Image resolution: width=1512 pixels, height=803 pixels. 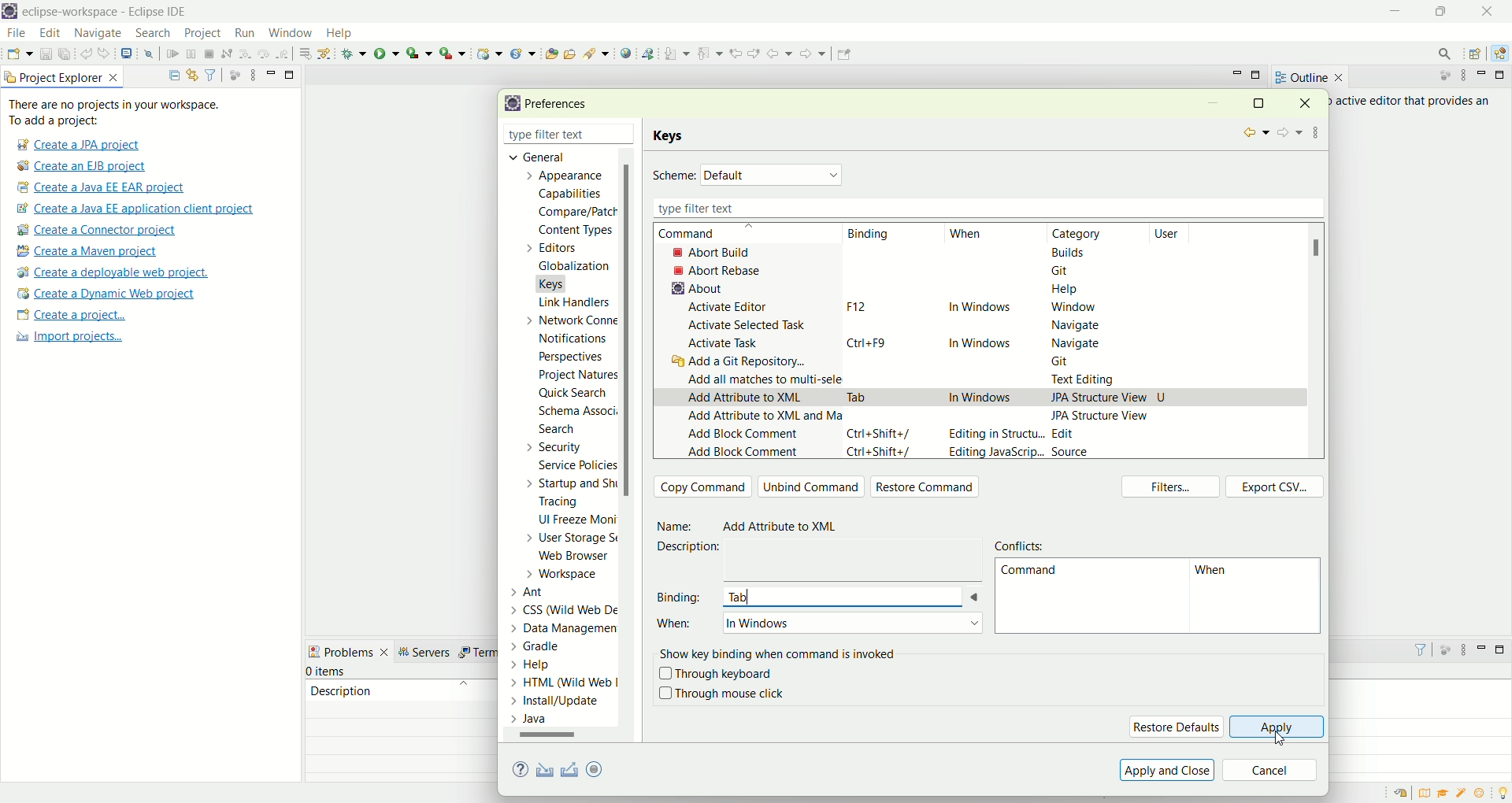 What do you see at coordinates (419, 53) in the screenshot?
I see `coverage` at bounding box center [419, 53].